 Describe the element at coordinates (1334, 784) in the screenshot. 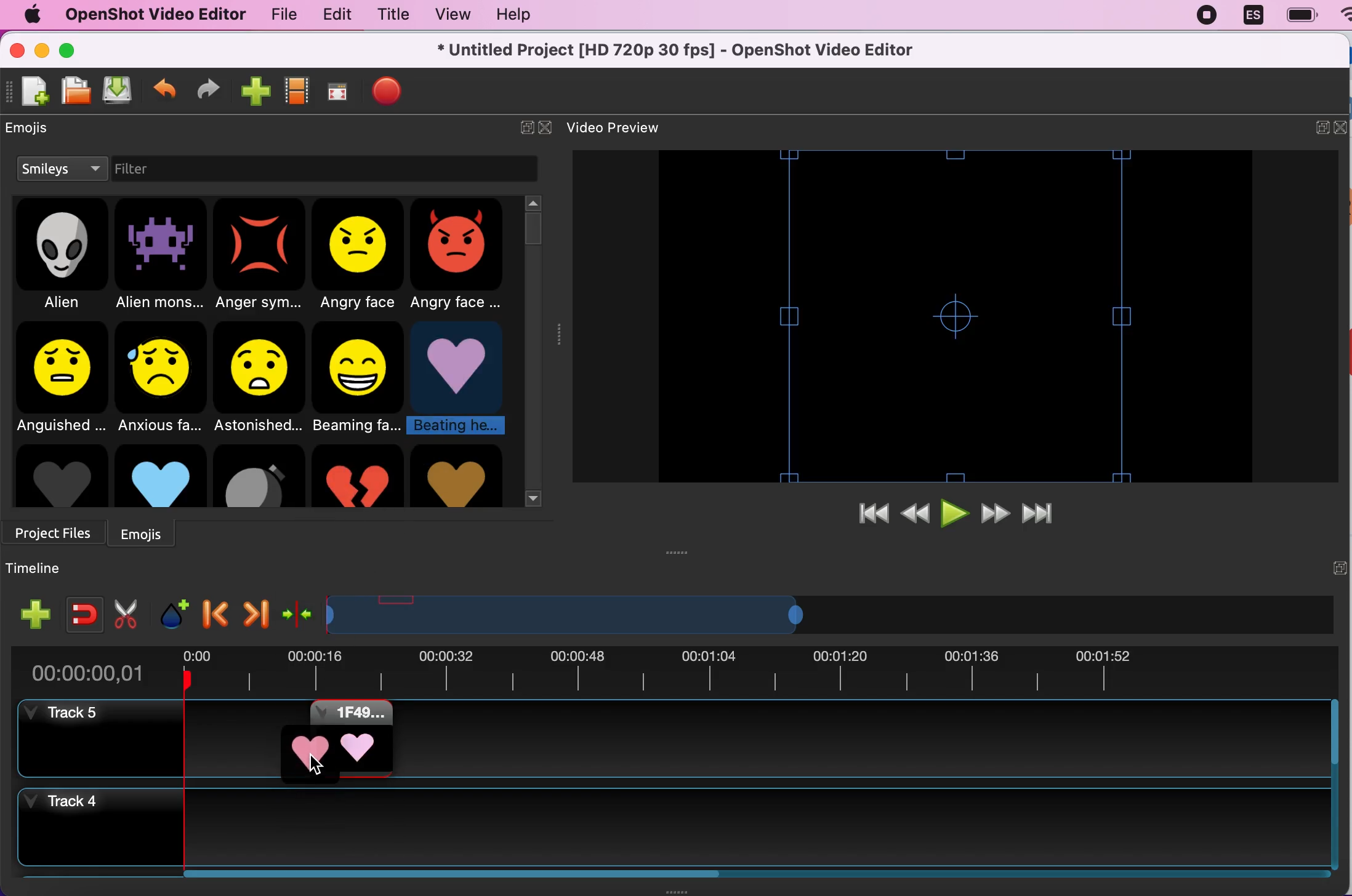

I see `Vertical slide bar` at that location.